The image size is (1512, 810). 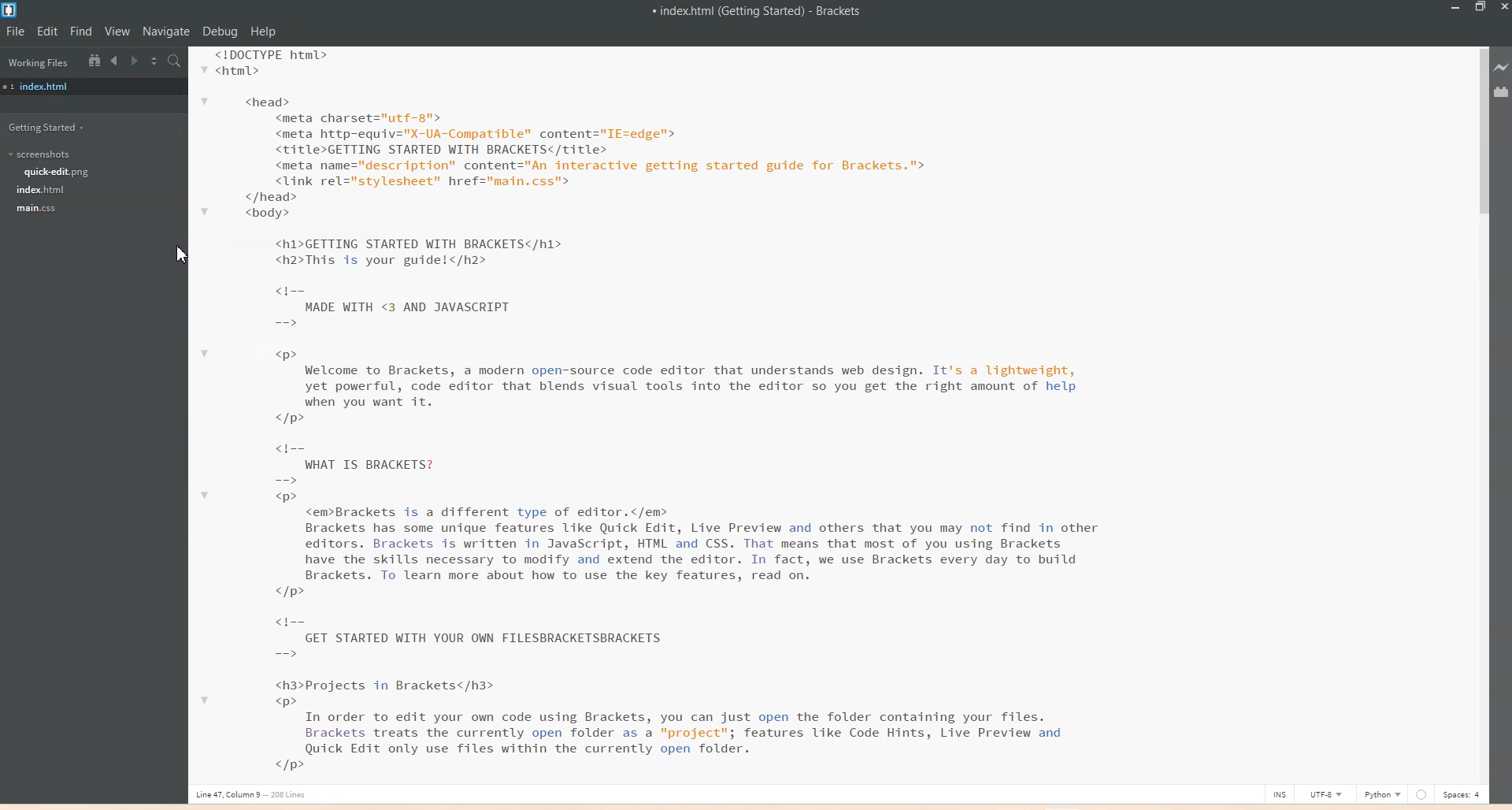 I want to click on Getting Started, so click(x=52, y=128).